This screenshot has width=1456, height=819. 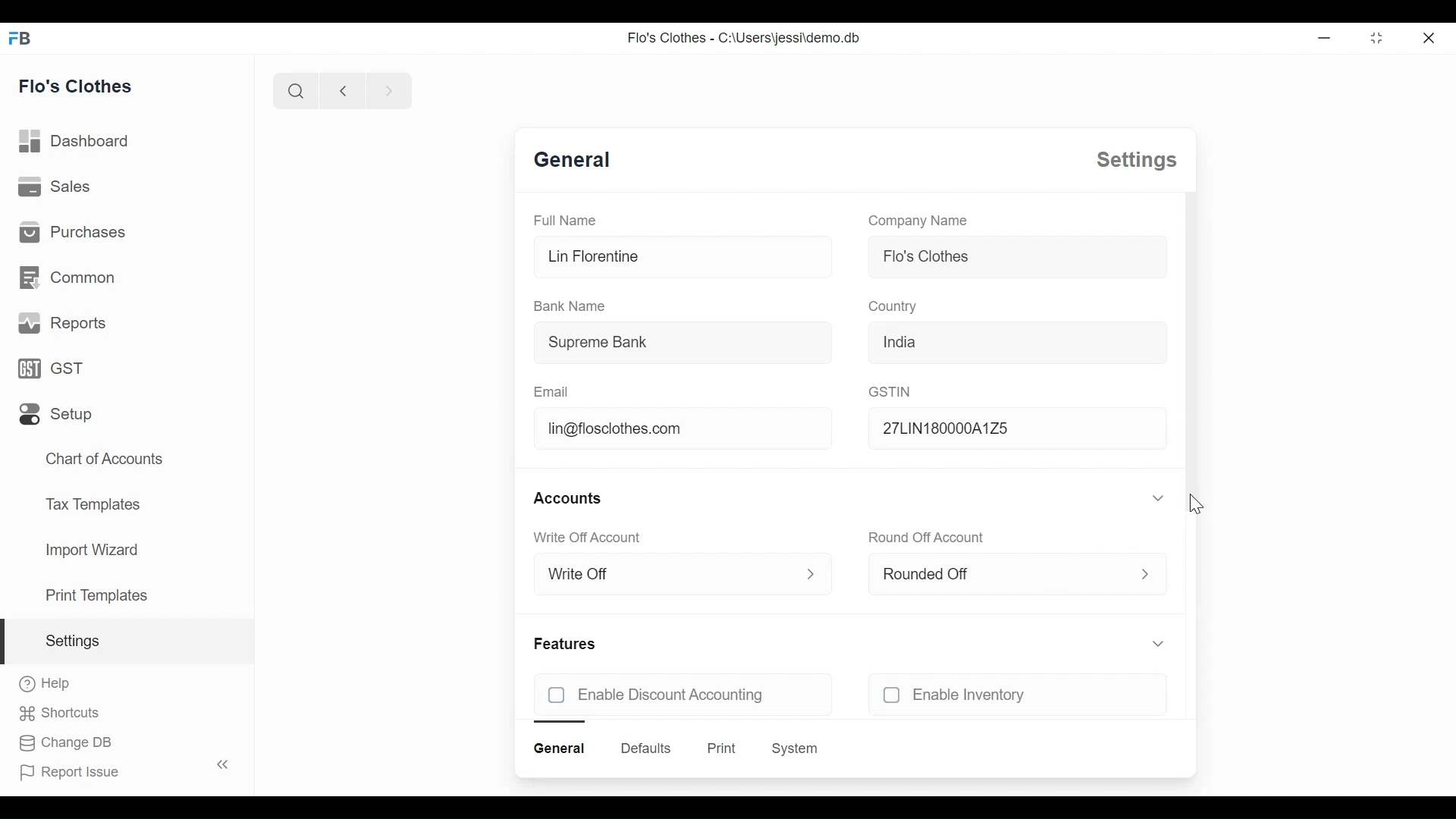 What do you see at coordinates (91, 551) in the screenshot?
I see `Import Wizard` at bounding box center [91, 551].